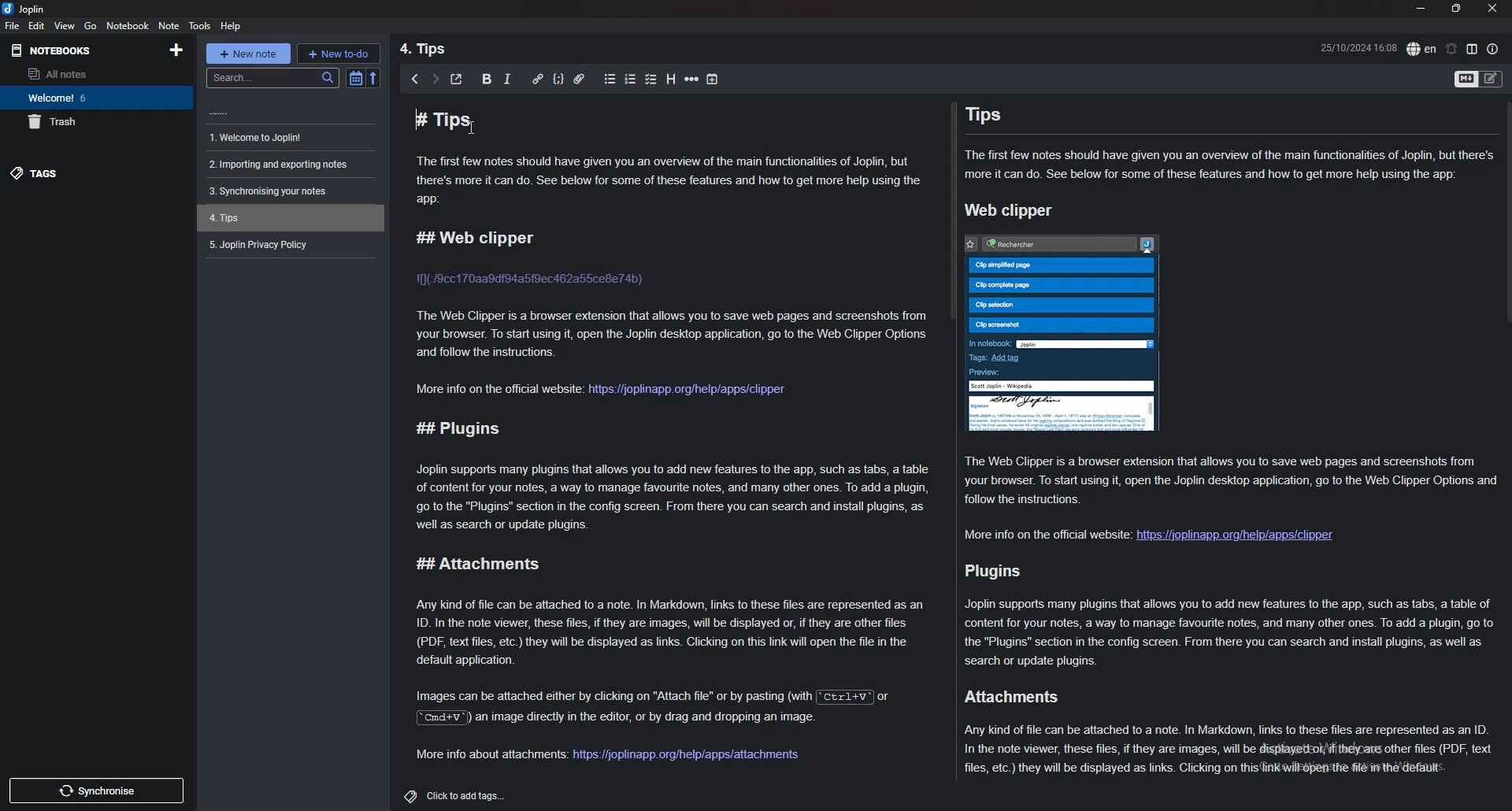  I want to click on , so click(1009, 210).